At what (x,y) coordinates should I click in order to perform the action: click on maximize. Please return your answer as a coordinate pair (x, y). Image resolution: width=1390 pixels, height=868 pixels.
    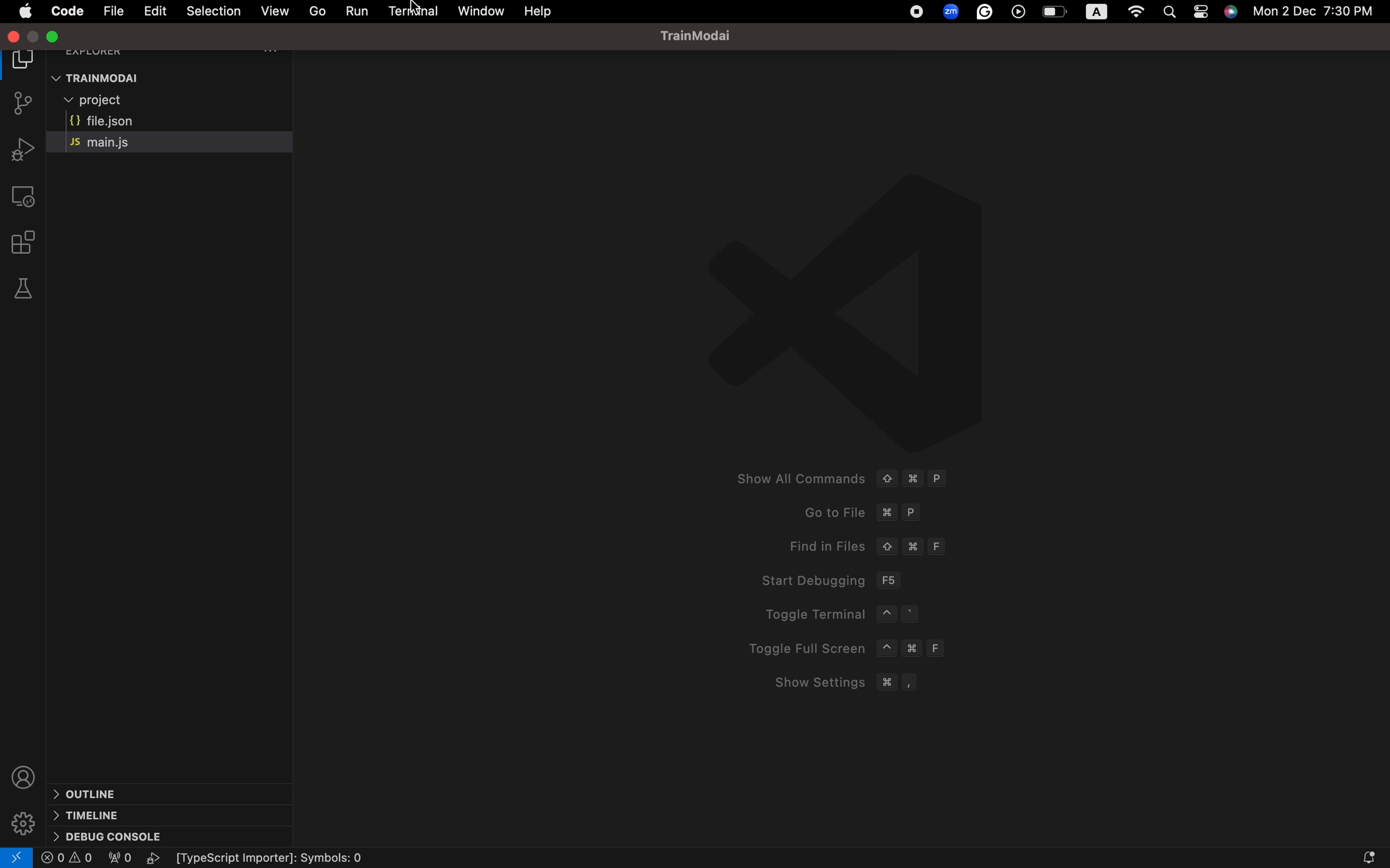
    Looking at the image, I should click on (36, 37).